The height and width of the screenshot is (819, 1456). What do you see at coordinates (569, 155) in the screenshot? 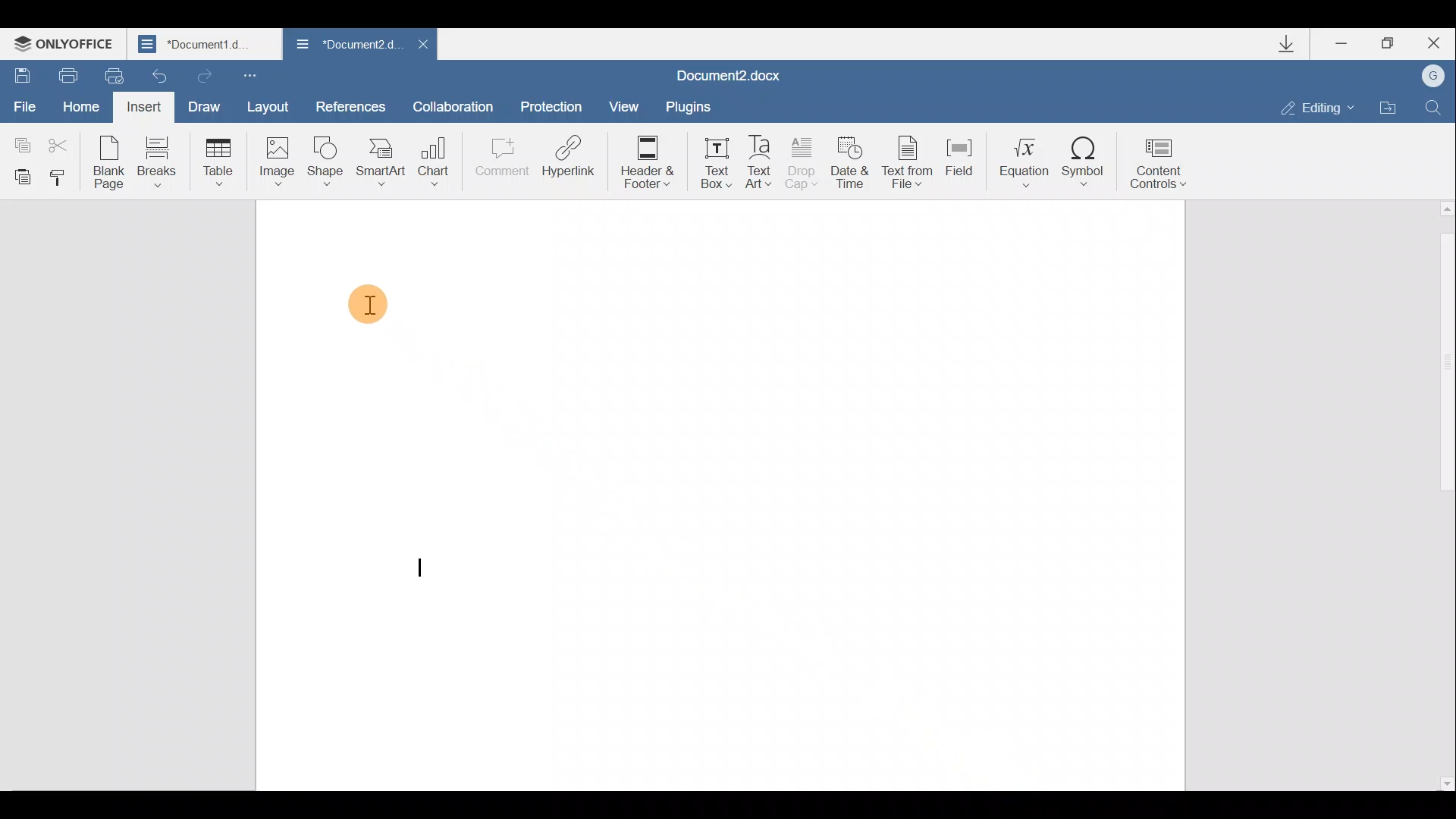
I see `Hyperlink` at bounding box center [569, 155].